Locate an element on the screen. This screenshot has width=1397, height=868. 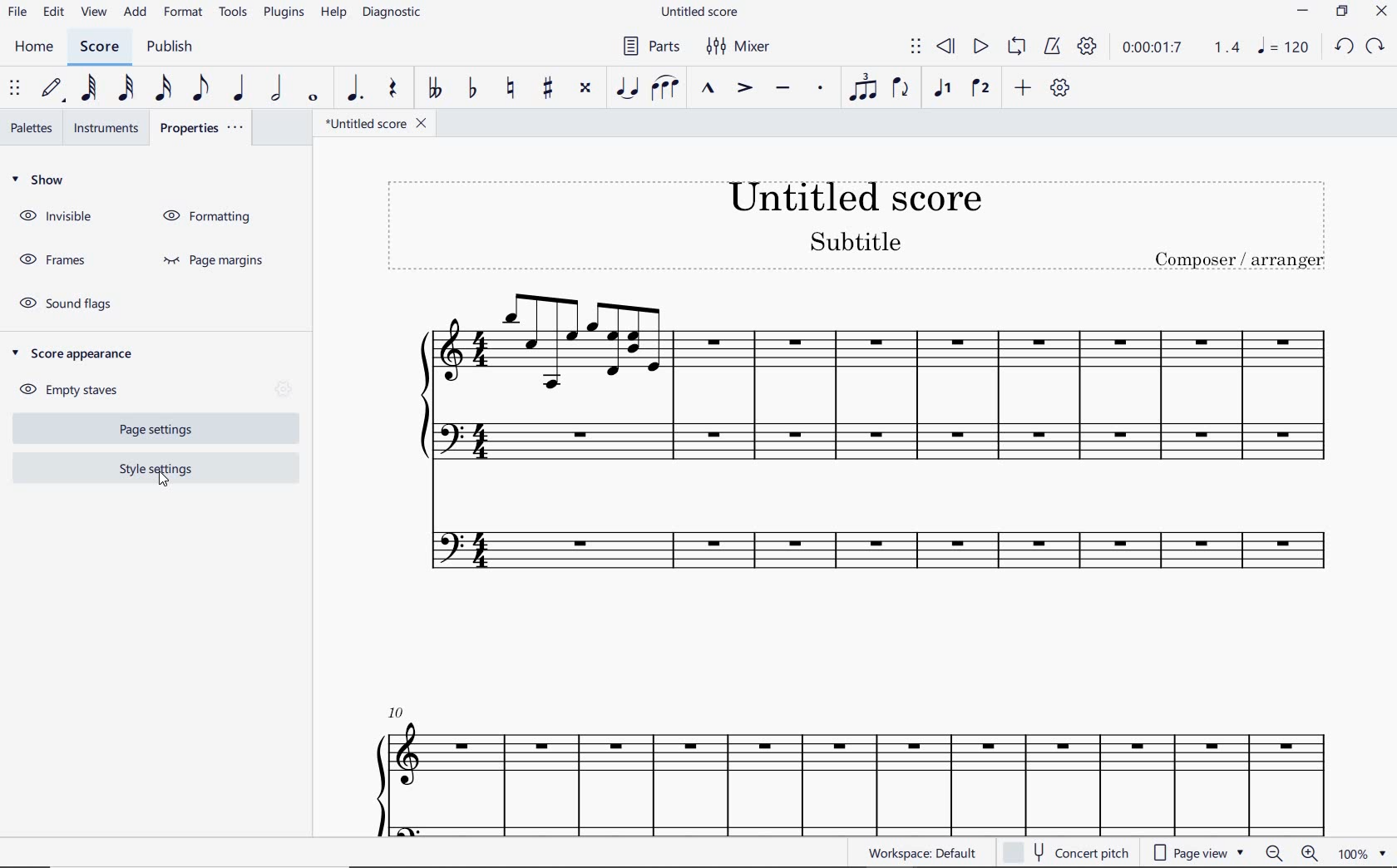
SOUND FLAGS is located at coordinates (70, 303).